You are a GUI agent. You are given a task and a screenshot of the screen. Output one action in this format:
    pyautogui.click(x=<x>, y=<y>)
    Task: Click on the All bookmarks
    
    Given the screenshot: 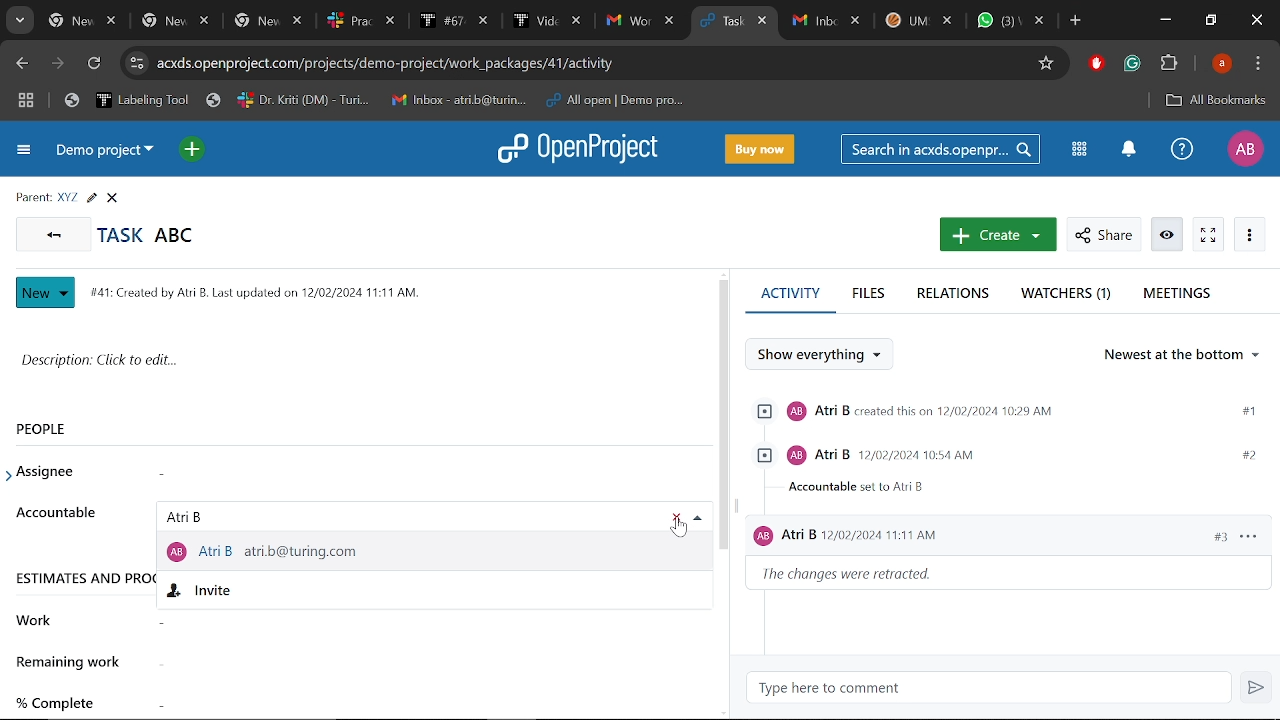 What is the action you would take?
    pyautogui.click(x=1212, y=100)
    